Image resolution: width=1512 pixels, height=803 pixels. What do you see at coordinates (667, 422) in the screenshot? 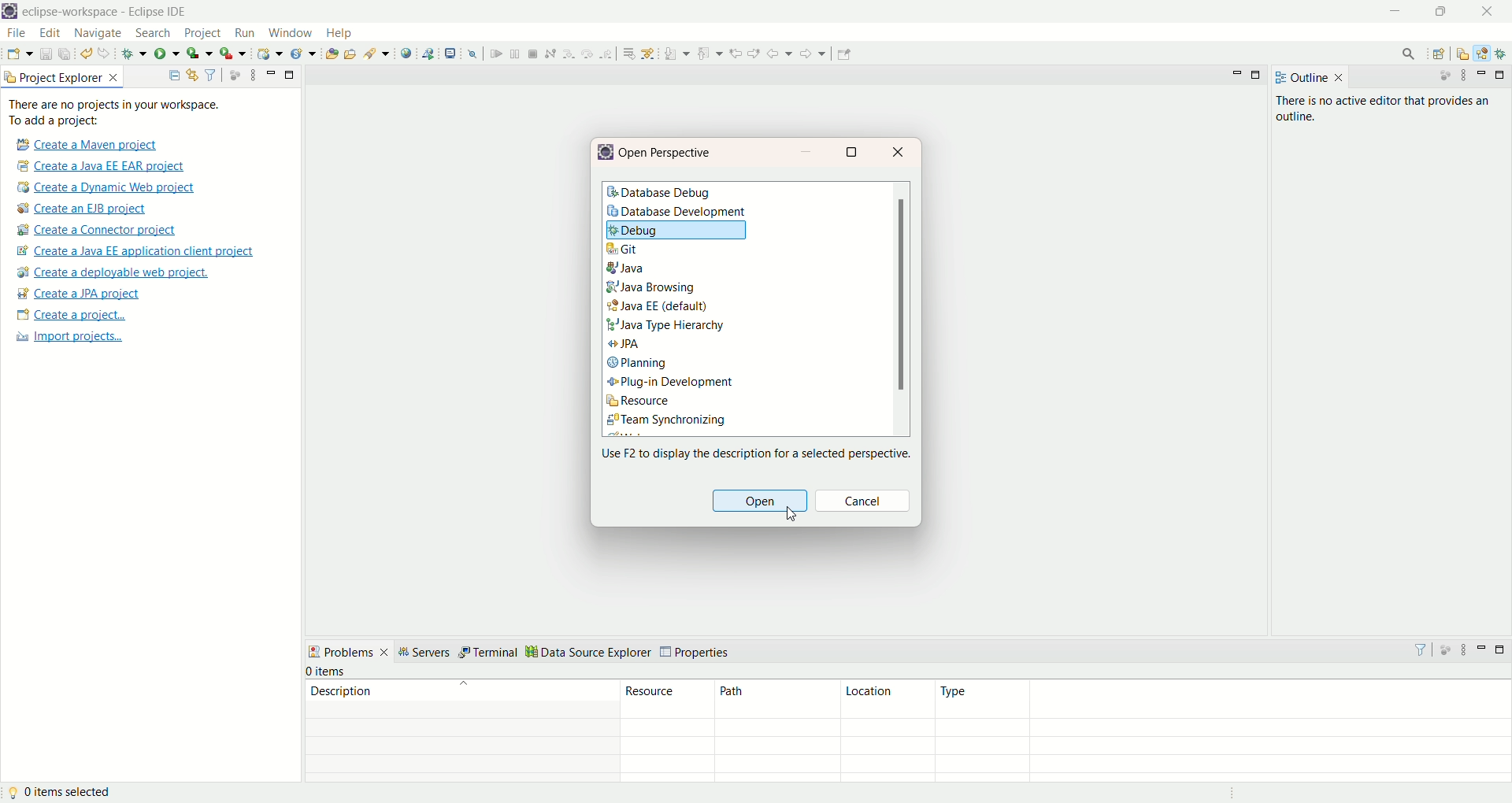
I see `team synchronizing` at bounding box center [667, 422].